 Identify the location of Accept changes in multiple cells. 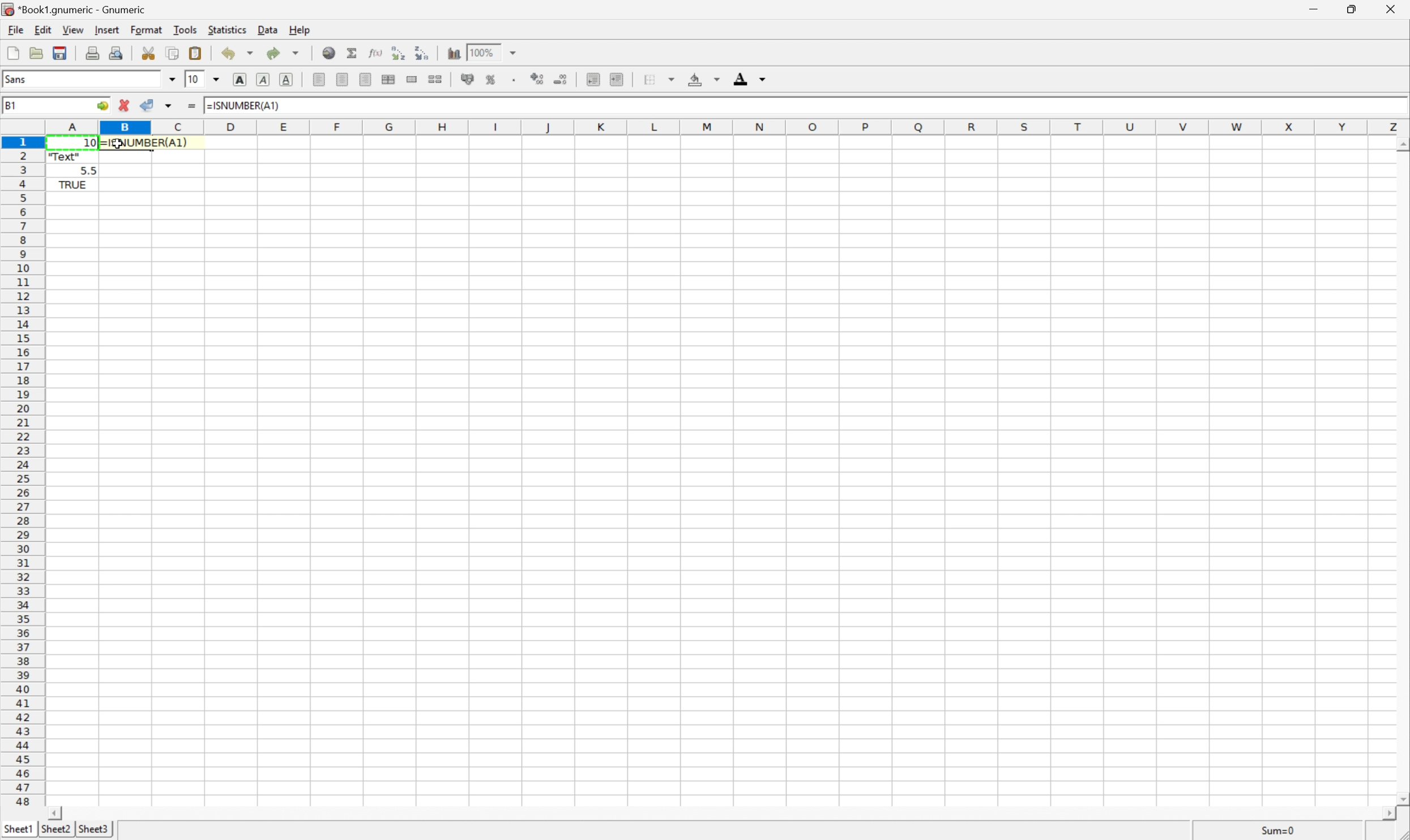
(168, 106).